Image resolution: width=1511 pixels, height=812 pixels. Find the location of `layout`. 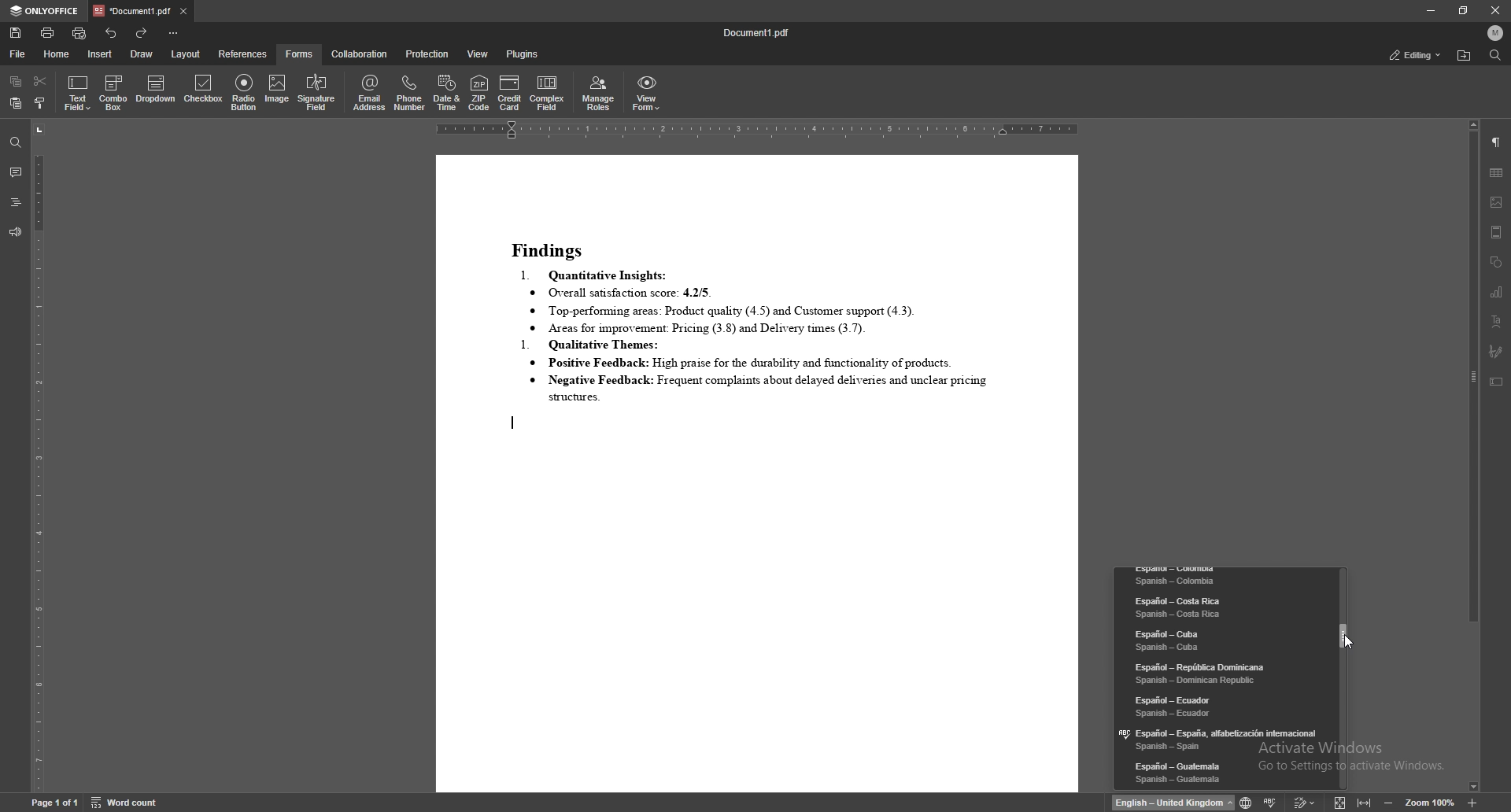

layout is located at coordinates (186, 54).